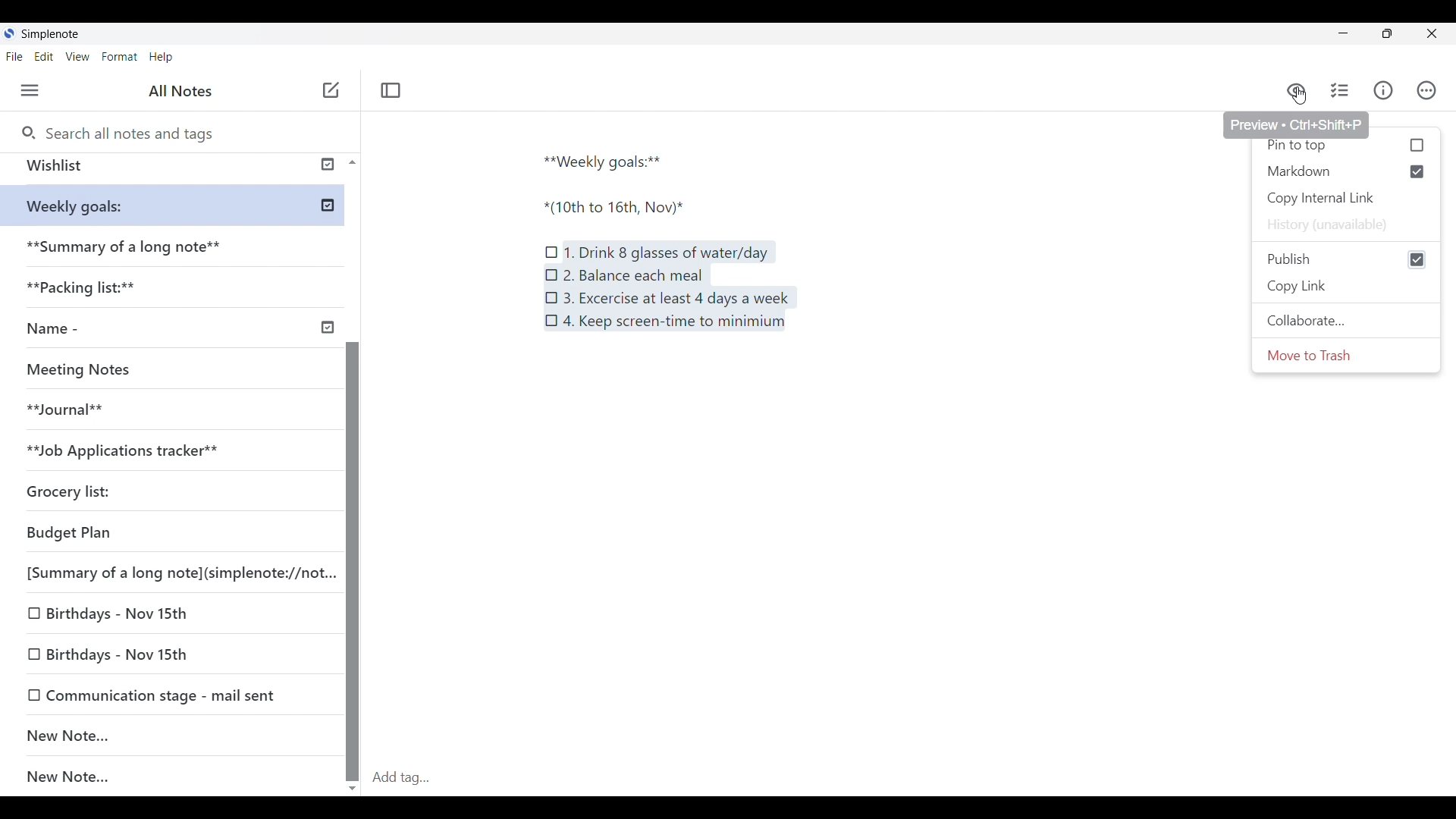  What do you see at coordinates (137, 450) in the screenshot?
I see `**Job Applications tracker**` at bounding box center [137, 450].